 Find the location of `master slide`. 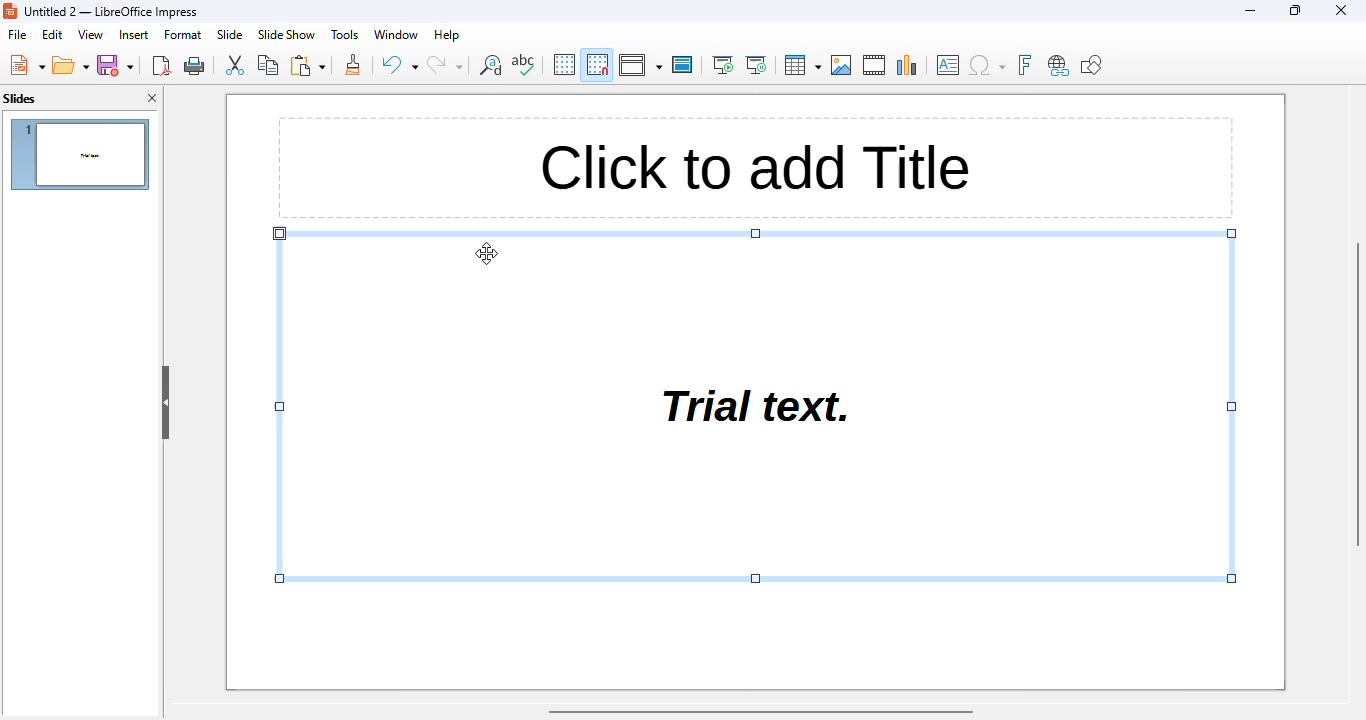

master slide is located at coordinates (682, 64).